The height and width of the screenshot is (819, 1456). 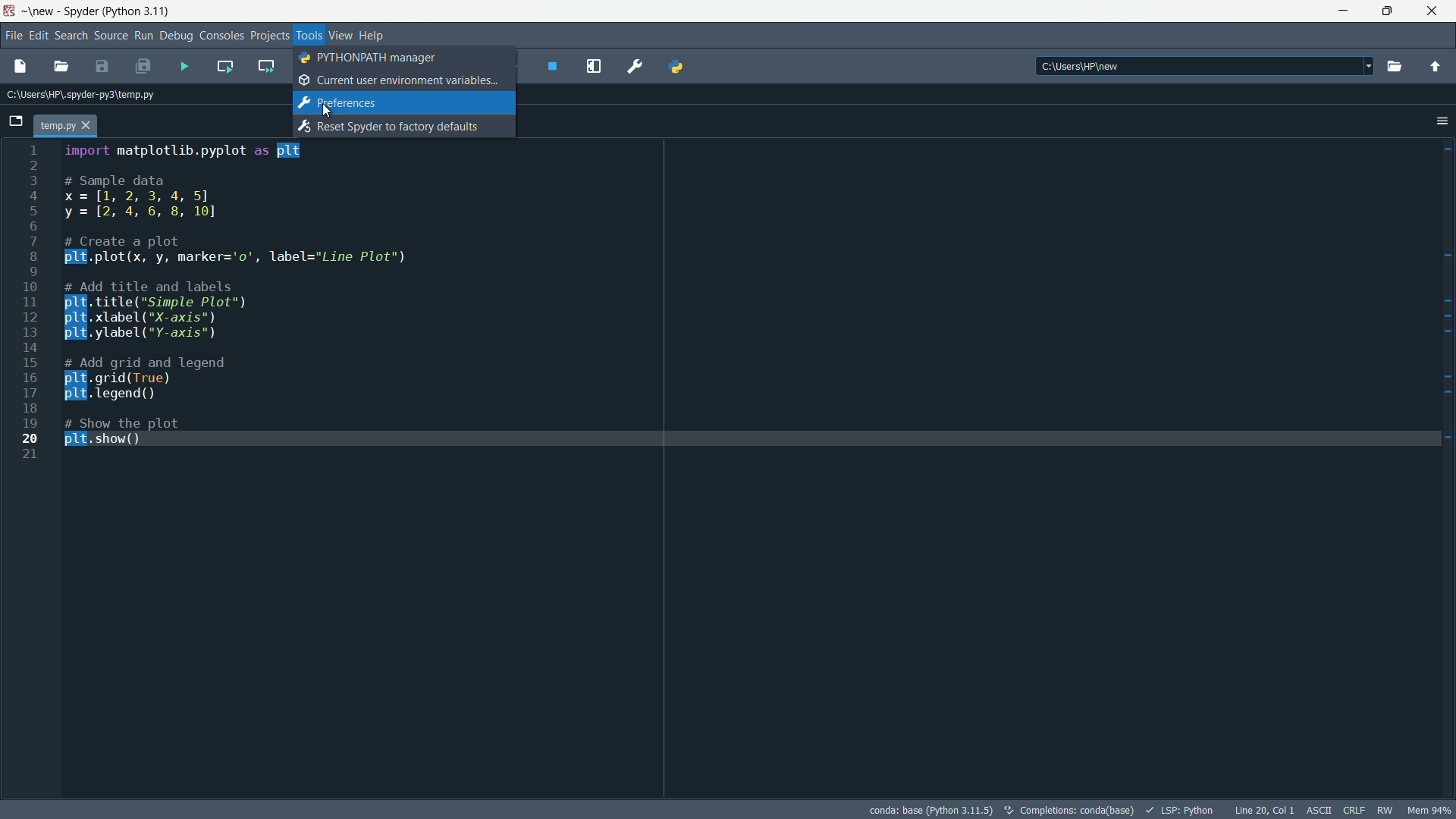 What do you see at coordinates (270, 35) in the screenshot?
I see `projects` at bounding box center [270, 35].